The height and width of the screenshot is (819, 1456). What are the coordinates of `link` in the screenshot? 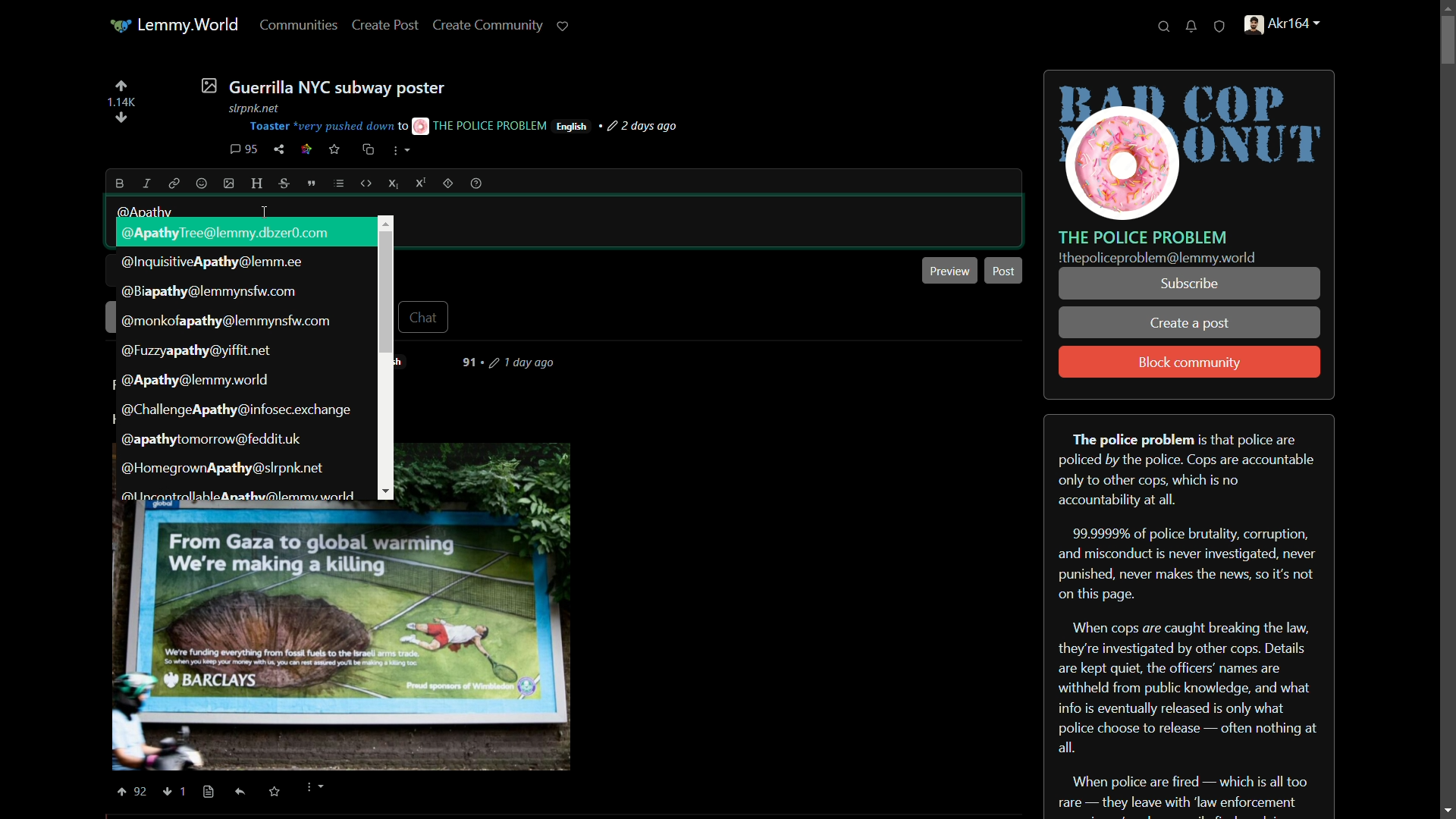 It's located at (171, 183).